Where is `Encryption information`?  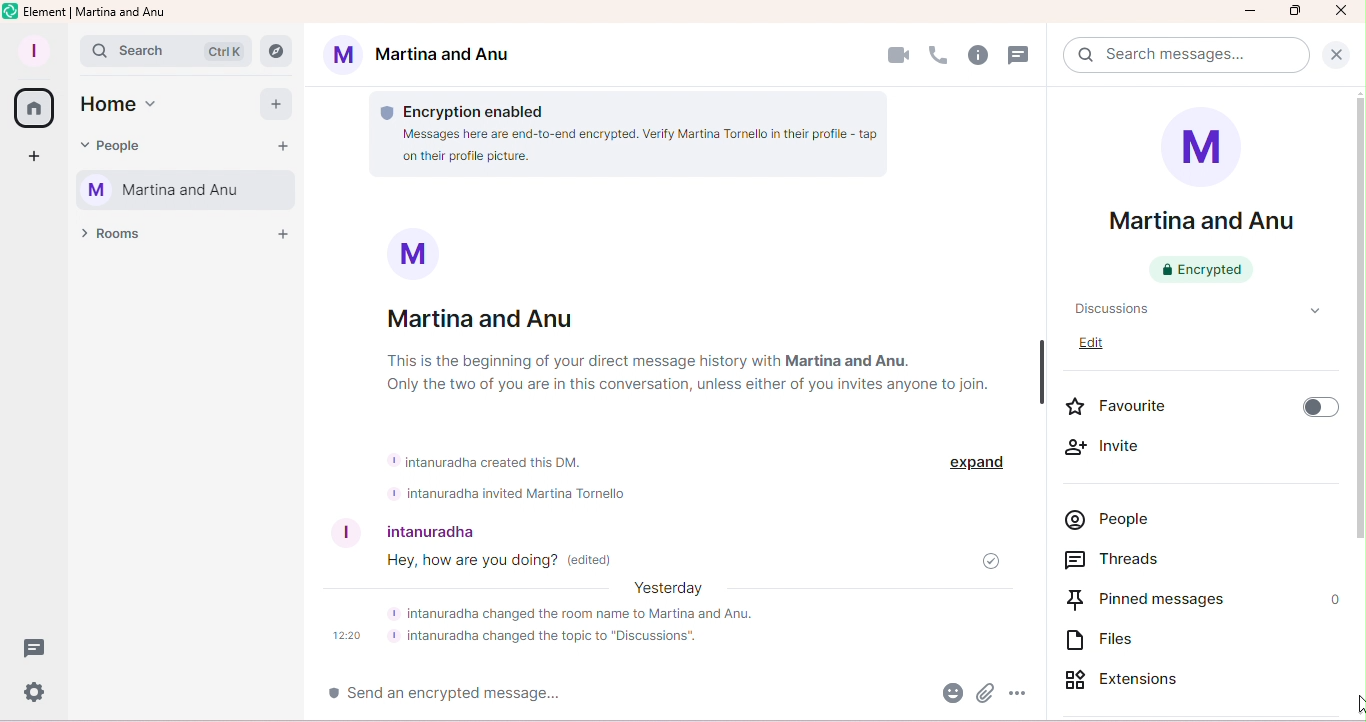 Encryption information is located at coordinates (471, 106).